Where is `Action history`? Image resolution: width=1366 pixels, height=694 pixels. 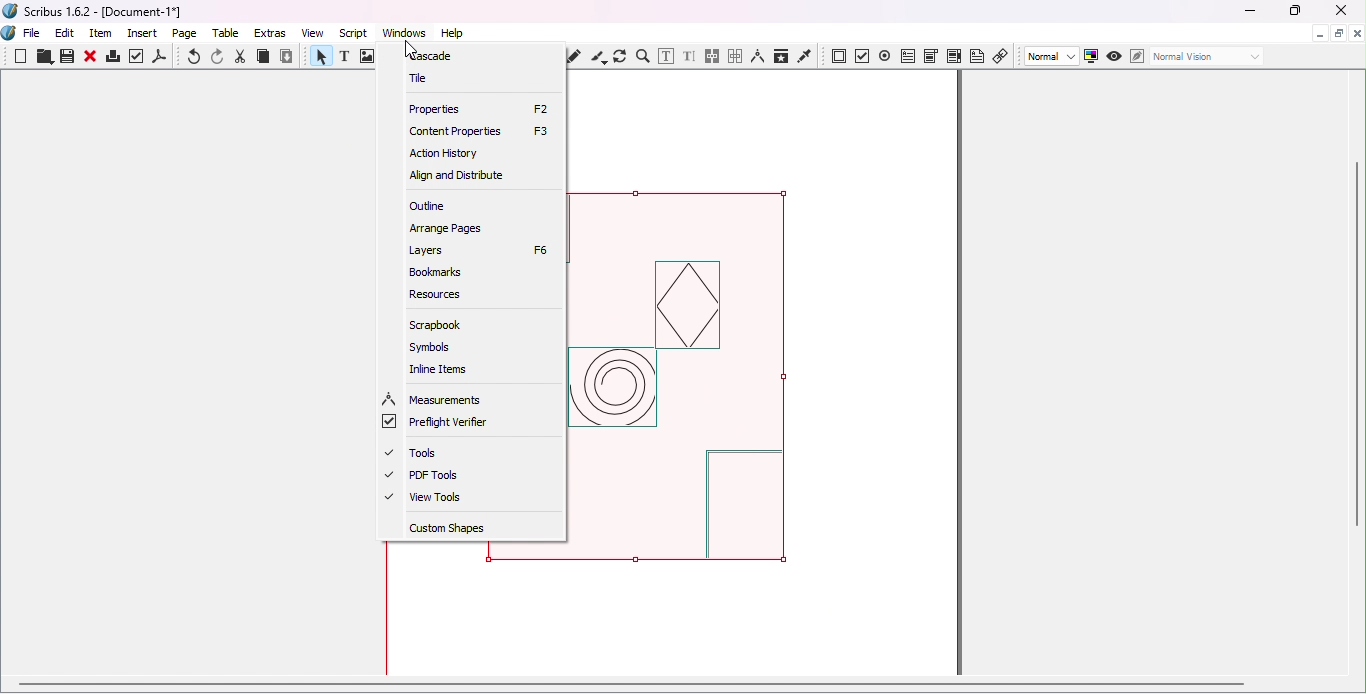
Action history is located at coordinates (443, 154).